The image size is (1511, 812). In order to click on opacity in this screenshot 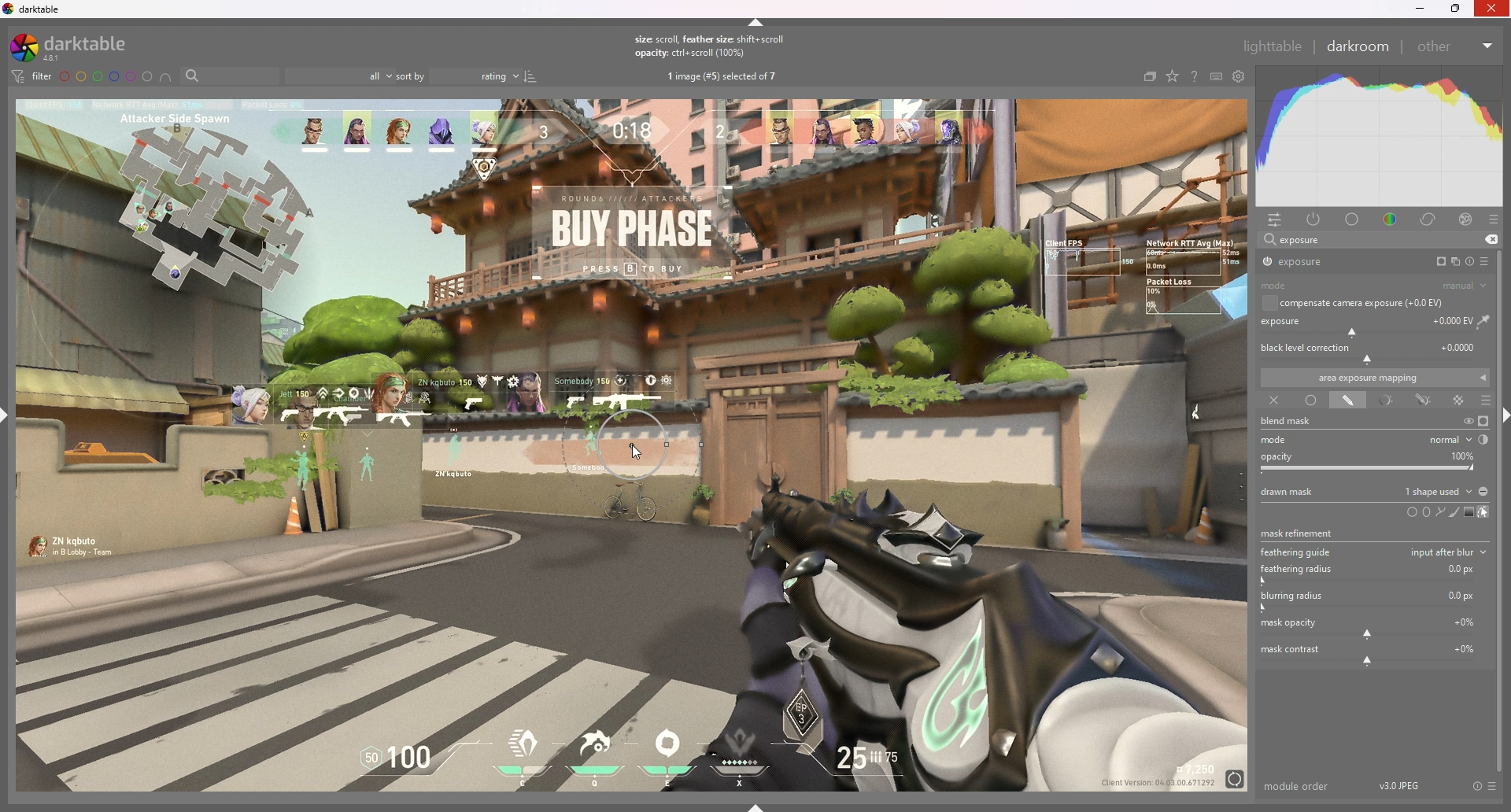, I will do `click(1374, 462)`.